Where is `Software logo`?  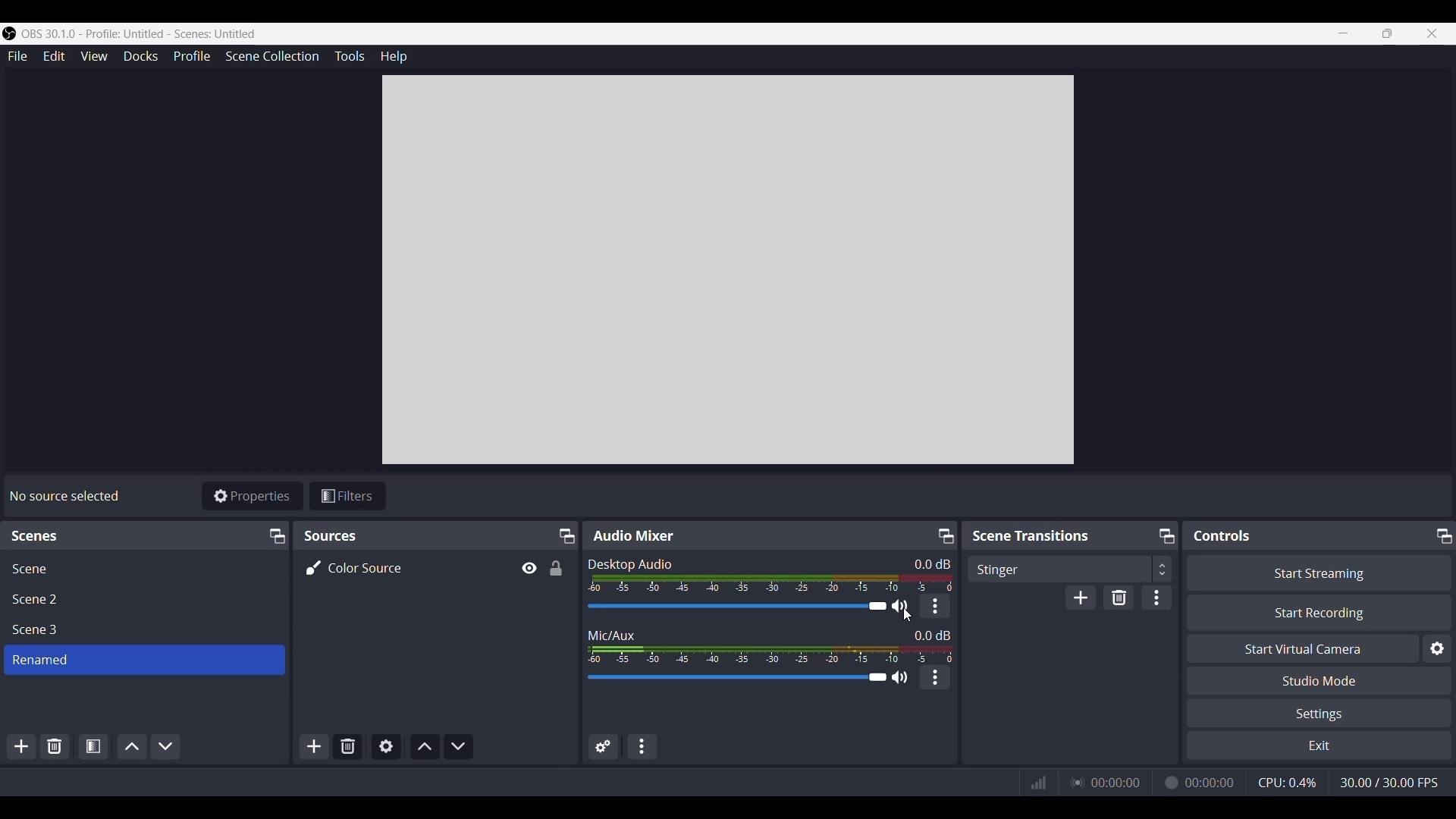
Software logo is located at coordinates (9, 33).